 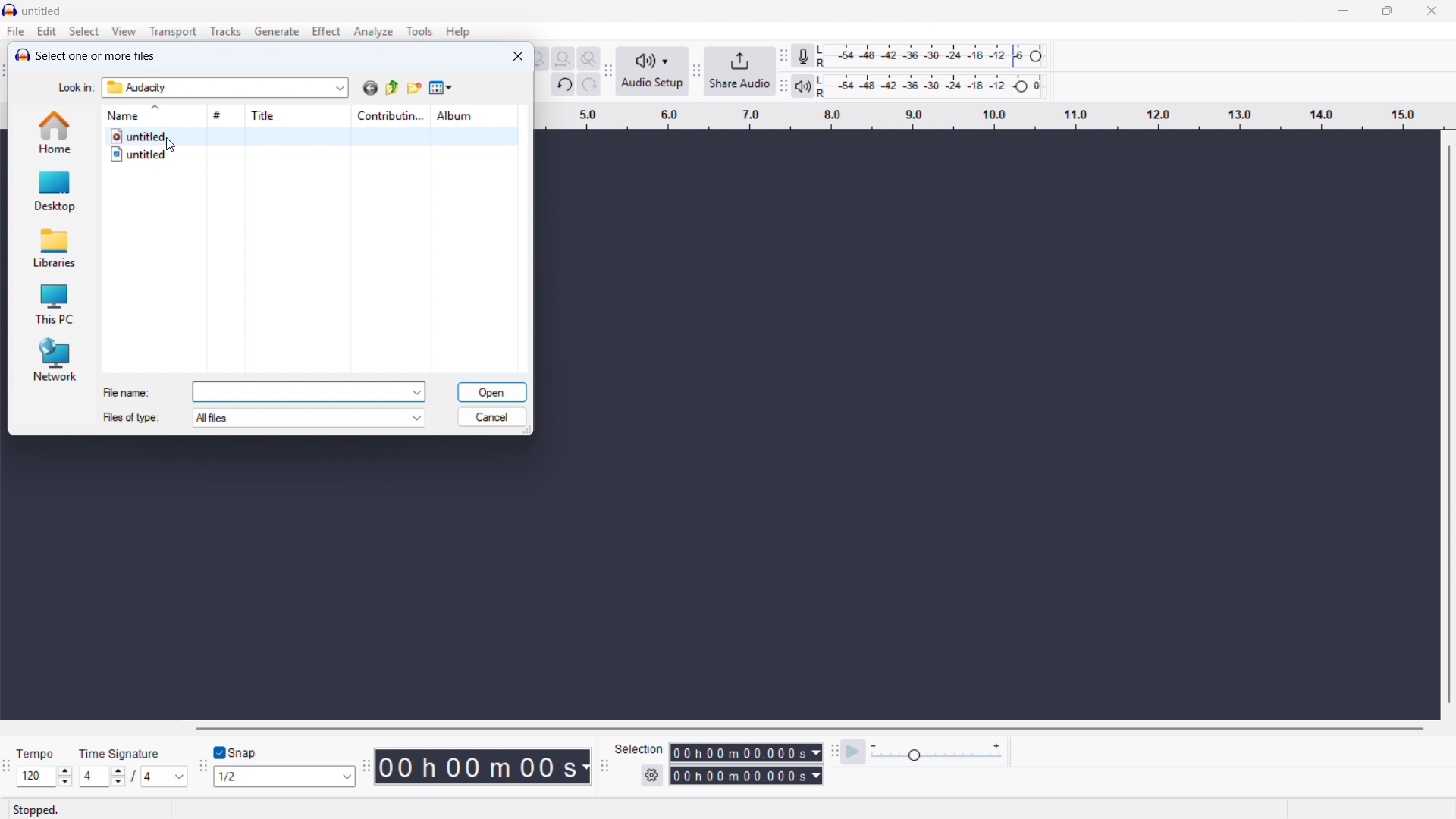 I want to click on Timestamp , so click(x=485, y=767).